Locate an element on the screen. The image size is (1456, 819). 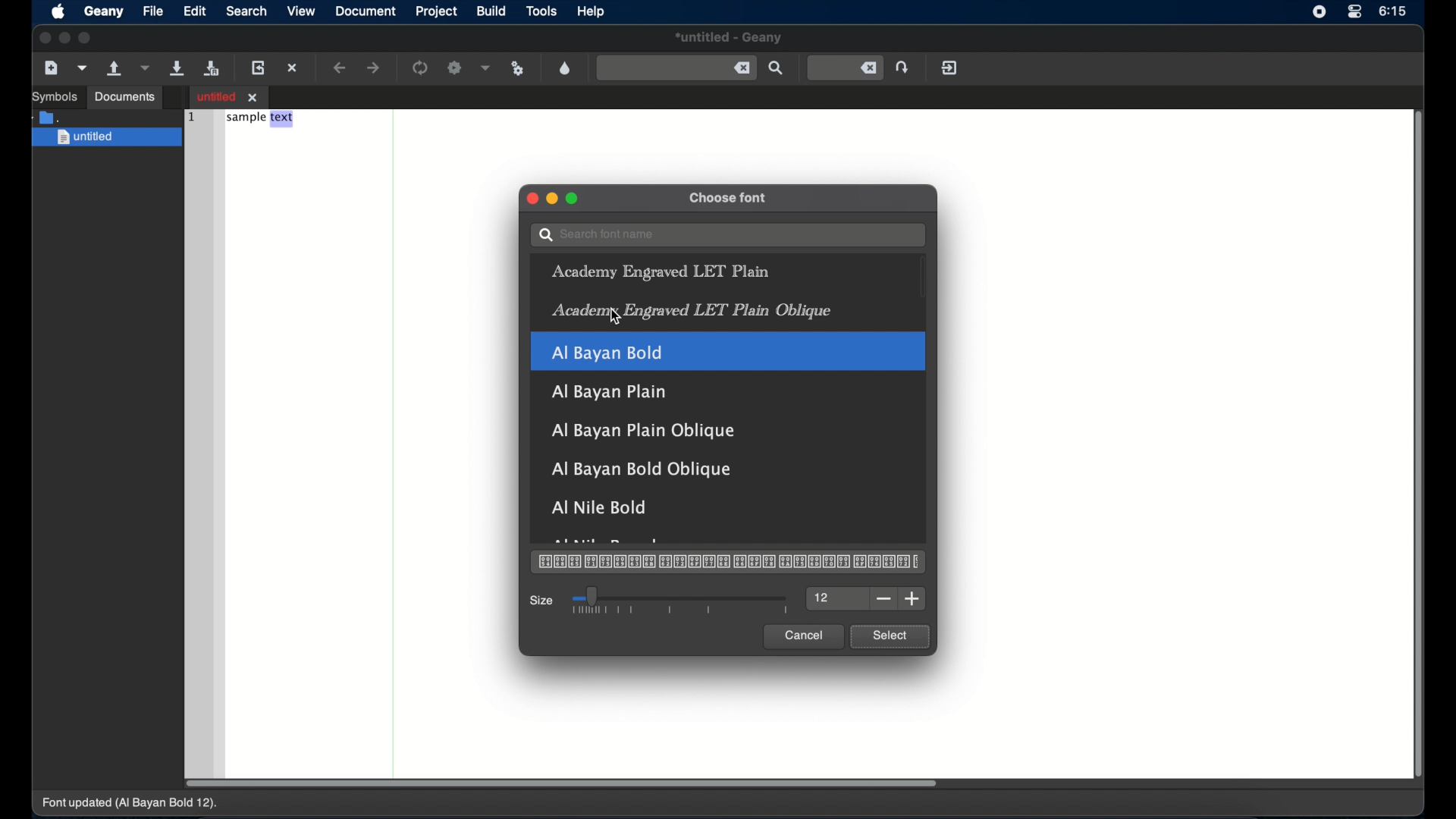
maximize is located at coordinates (573, 199).